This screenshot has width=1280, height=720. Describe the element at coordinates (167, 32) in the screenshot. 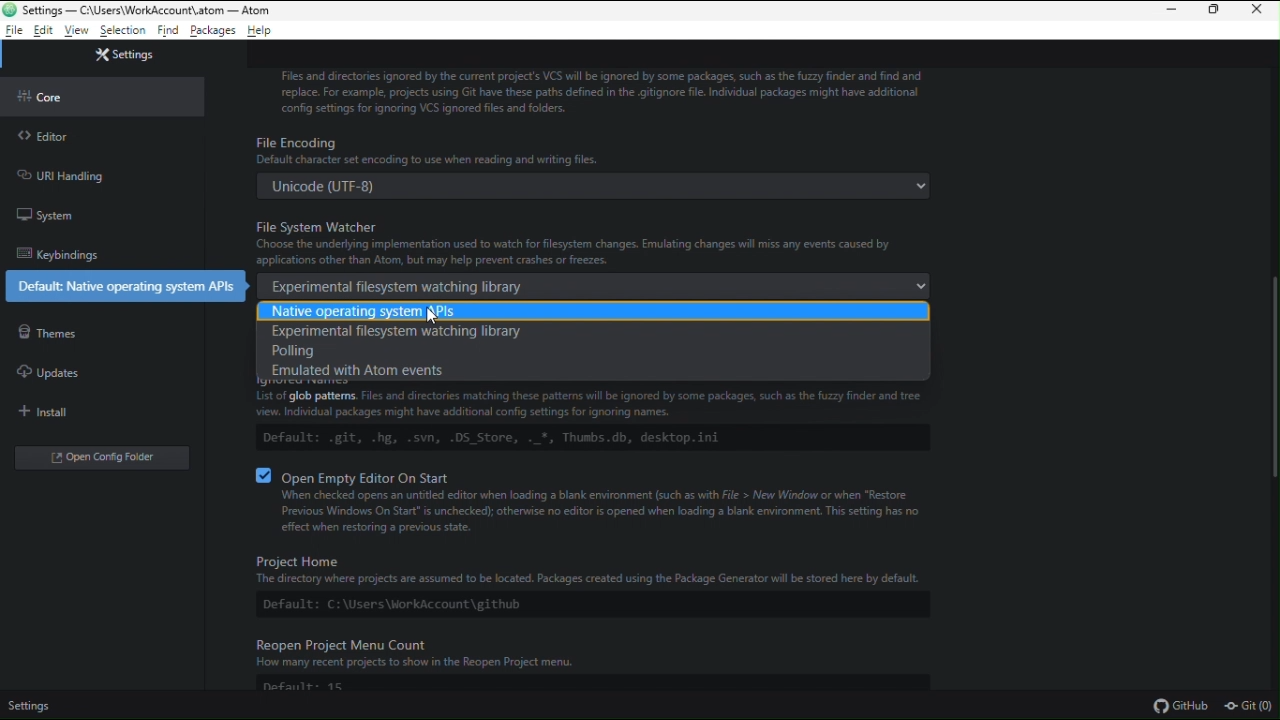

I see `find` at that location.